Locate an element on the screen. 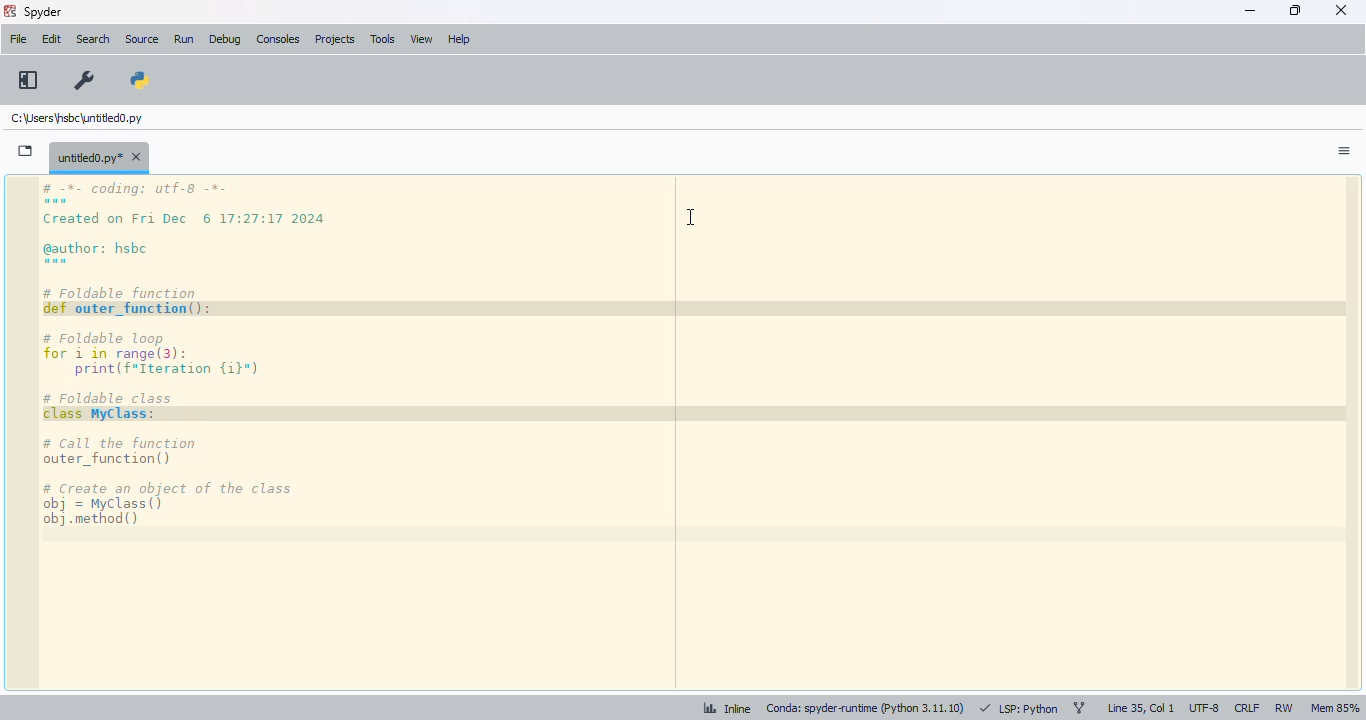  close is located at coordinates (1341, 10).